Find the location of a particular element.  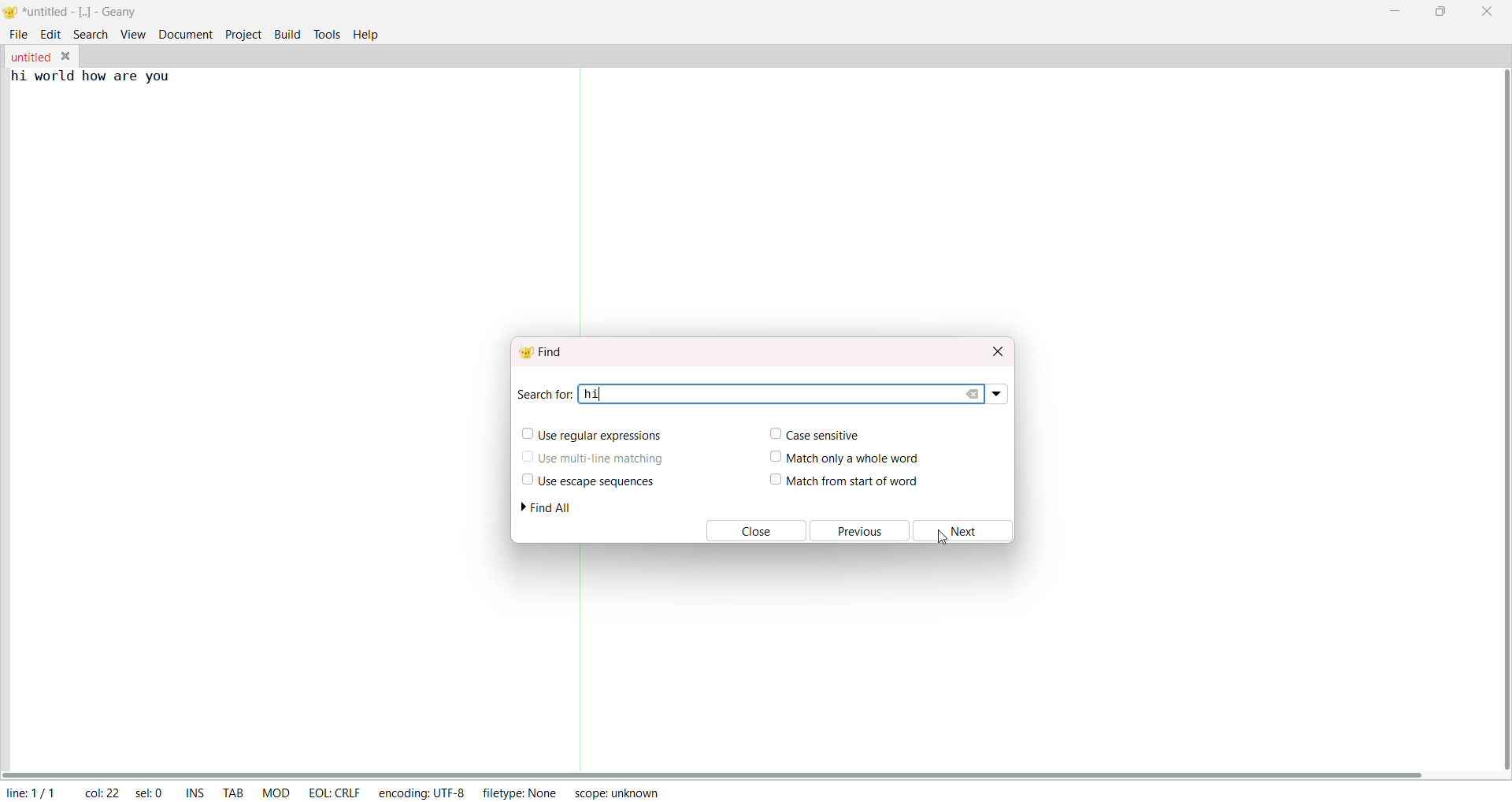

match only a whole word is located at coordinates (846, 458).